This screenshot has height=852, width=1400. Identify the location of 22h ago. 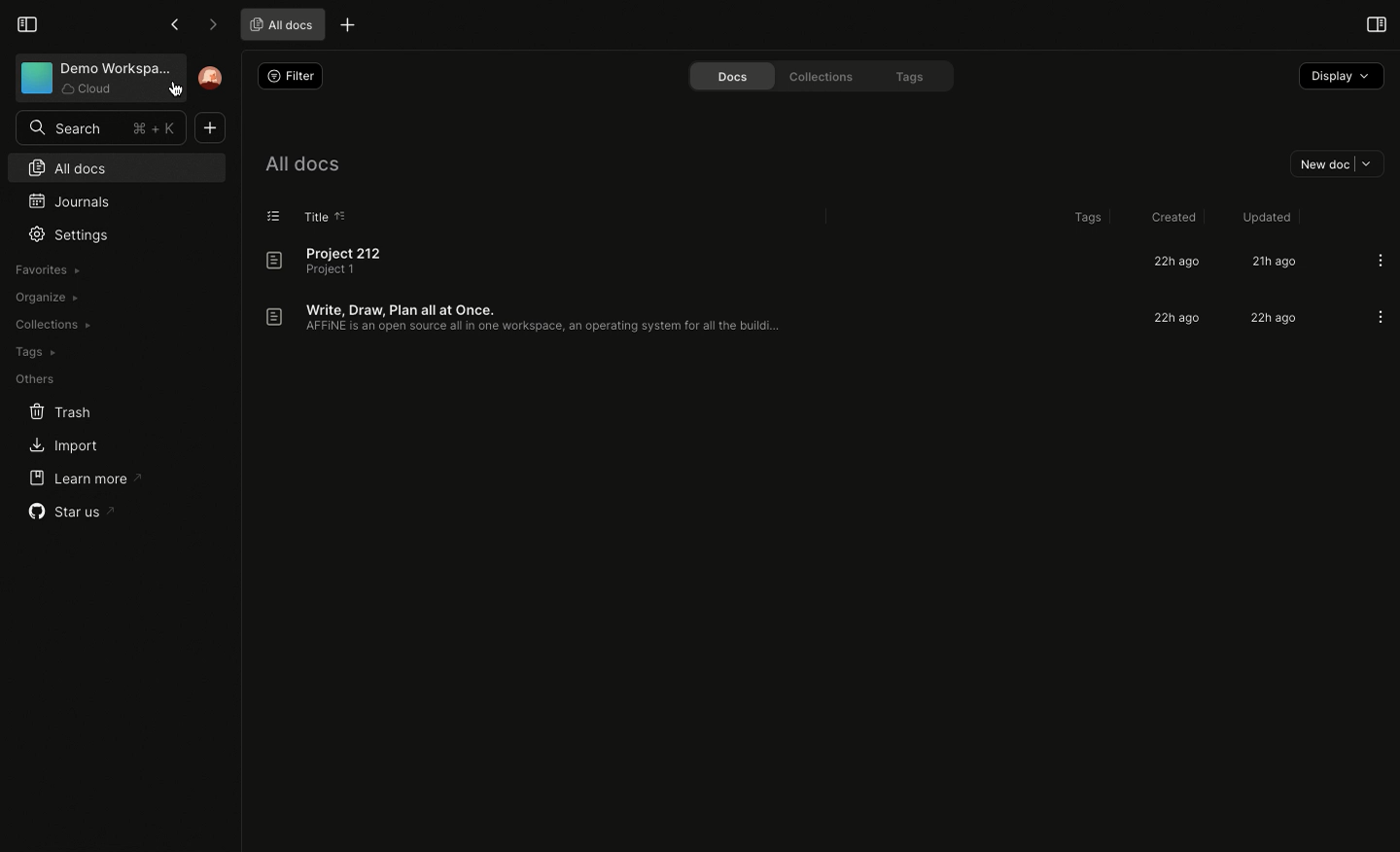
(1179, 318).